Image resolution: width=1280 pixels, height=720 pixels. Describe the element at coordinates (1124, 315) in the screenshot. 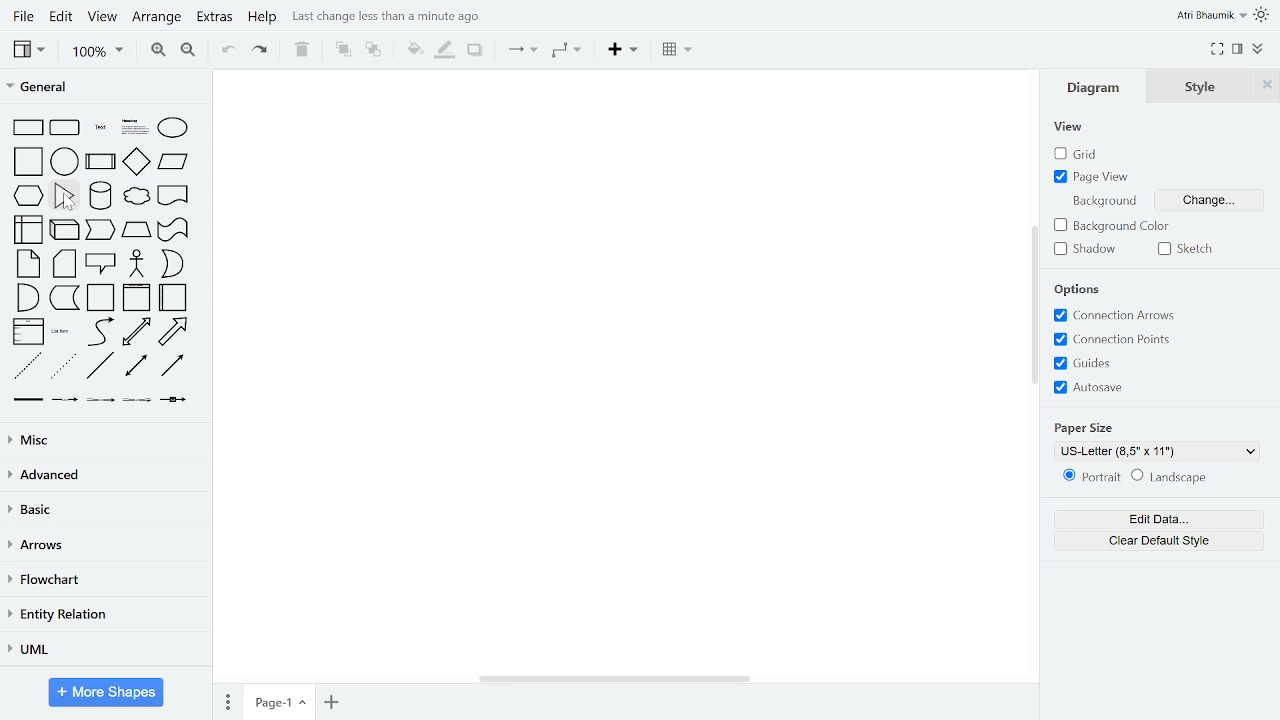

I see `connection arrows` at that location.